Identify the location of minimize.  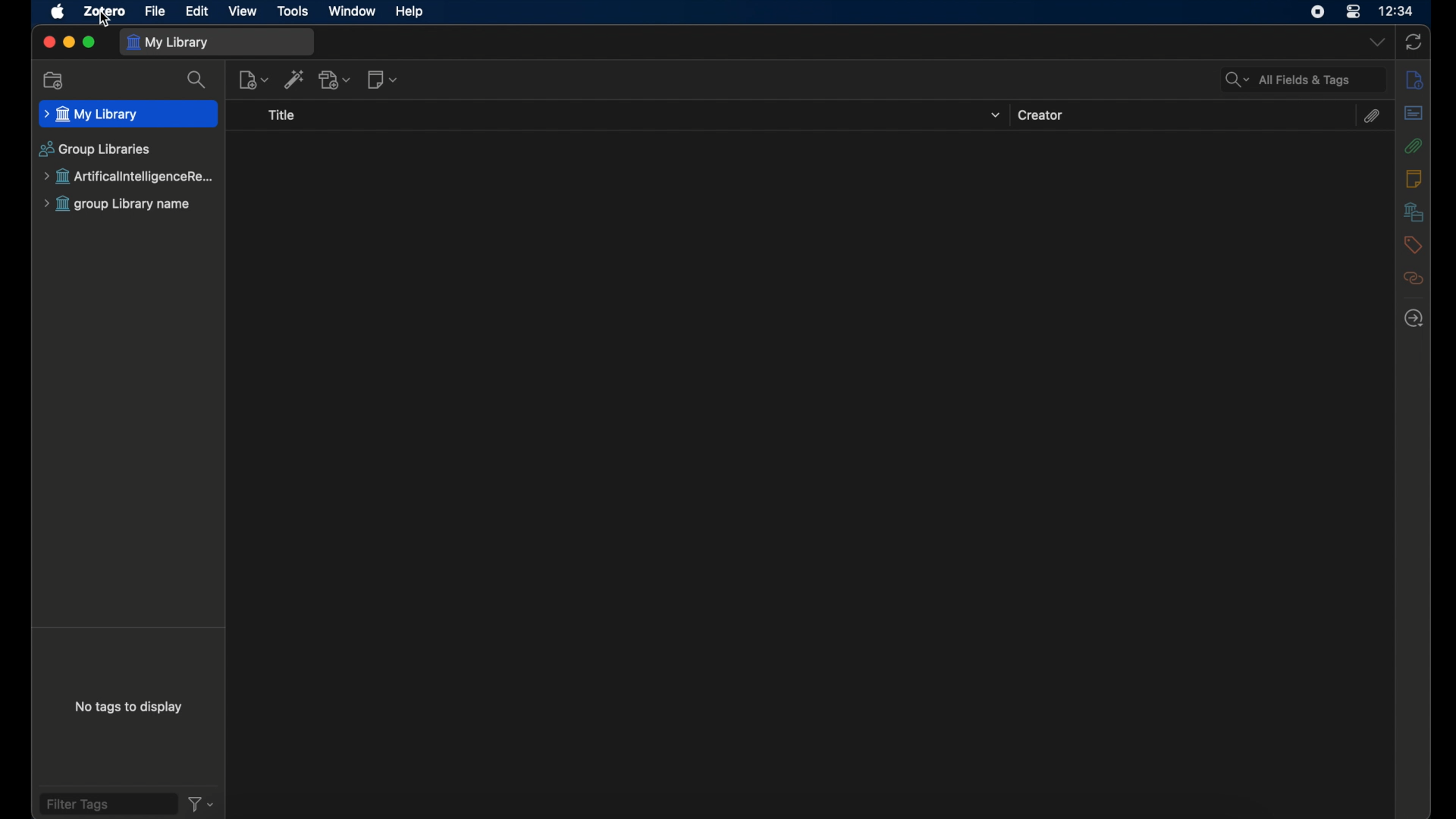
(68, 42).